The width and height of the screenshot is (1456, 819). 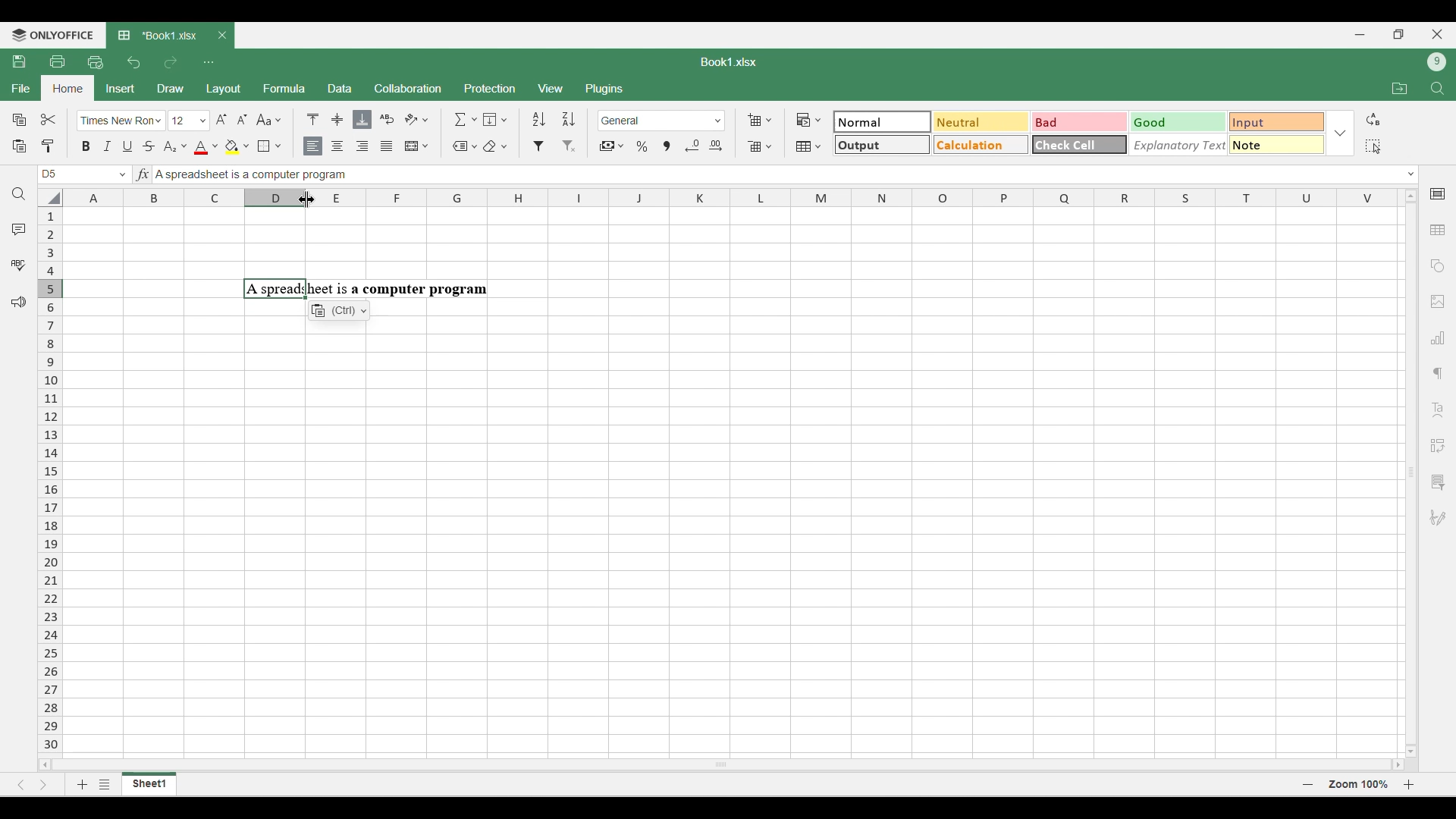 What do you see at coordinates (67, 89) in the screenshot?
I see `Home menu, highlighted` at bounding box center [67, 89].